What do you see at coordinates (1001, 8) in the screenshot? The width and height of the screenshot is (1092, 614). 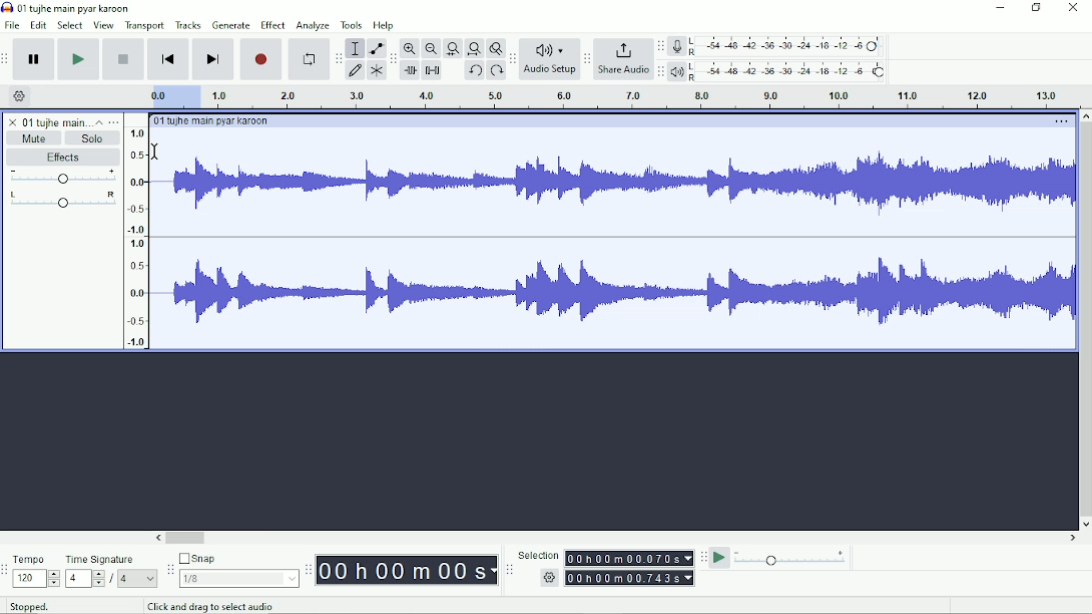 I see `Minimize` at bounding box center [1001, 8].